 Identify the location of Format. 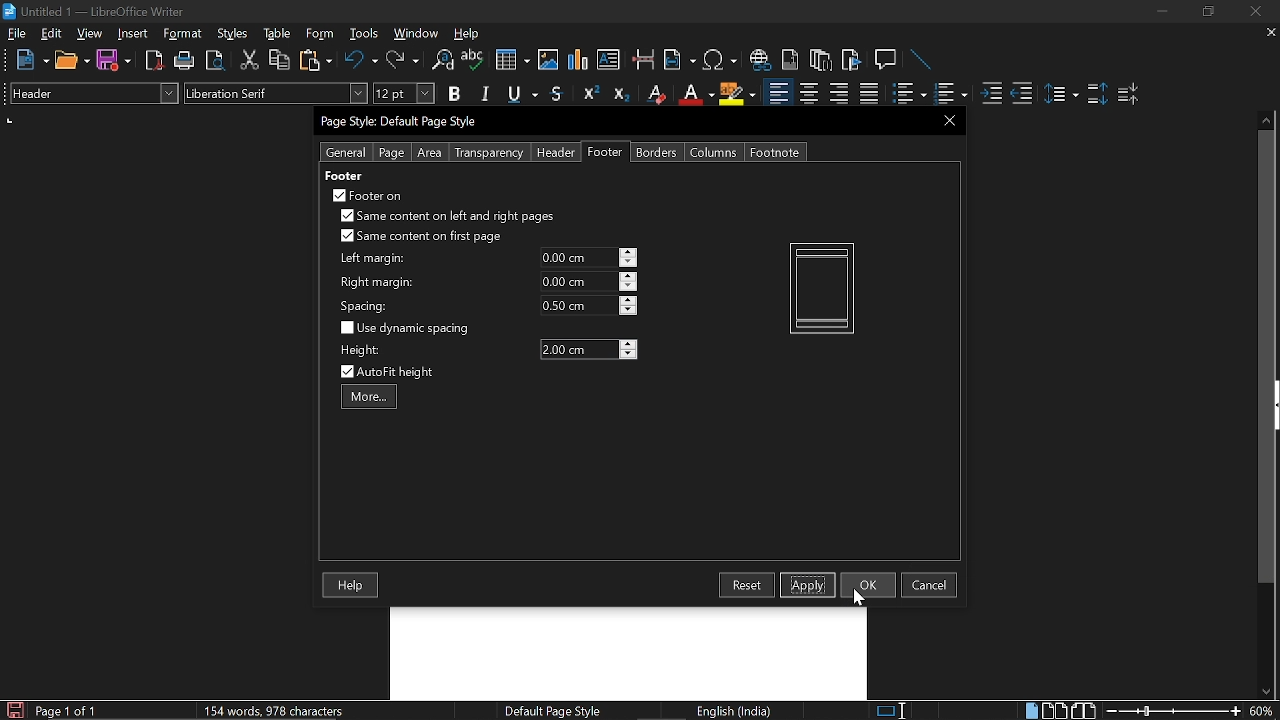
(185, 34).